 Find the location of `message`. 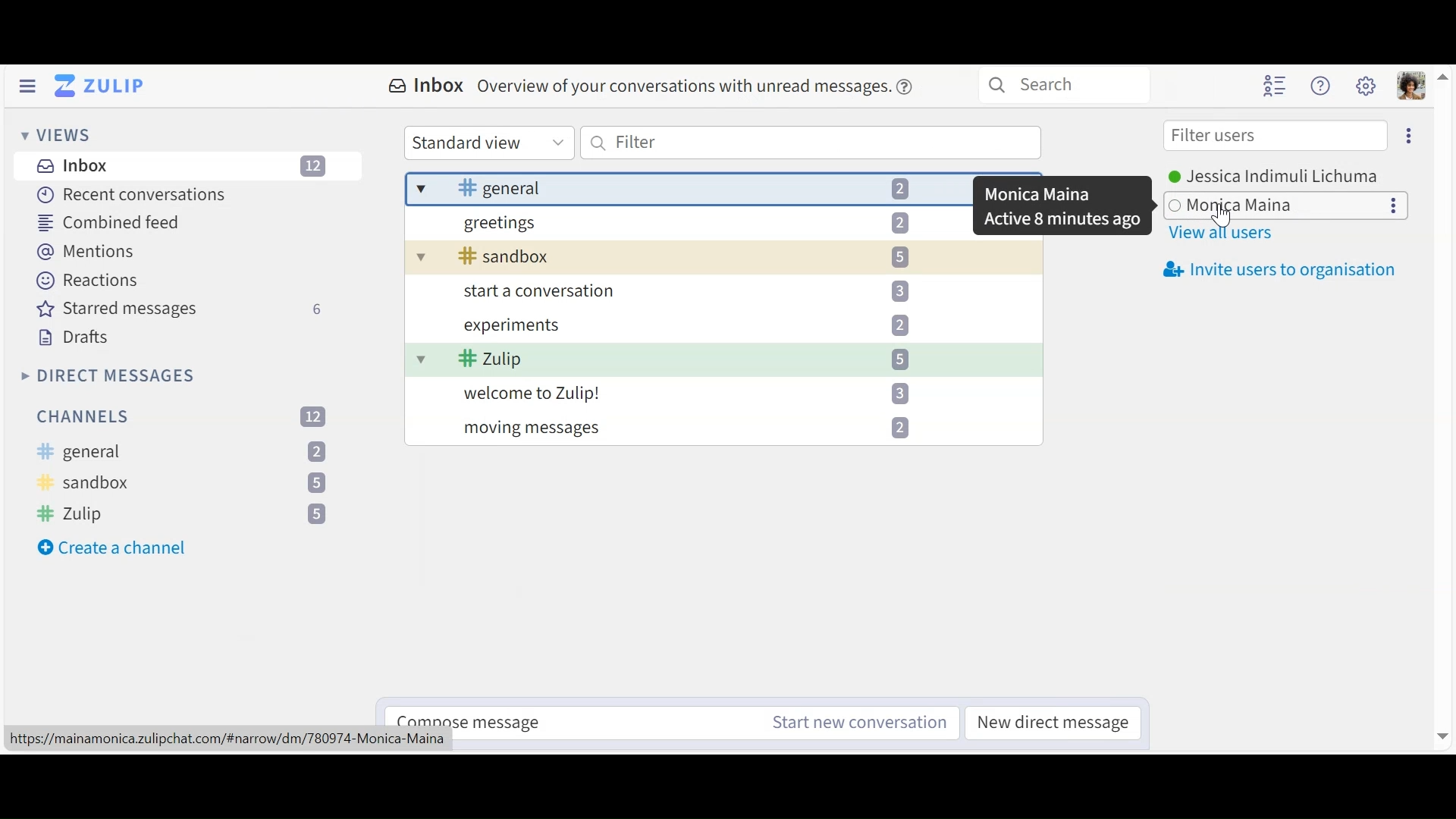

message is located at coordinates (682, 86).